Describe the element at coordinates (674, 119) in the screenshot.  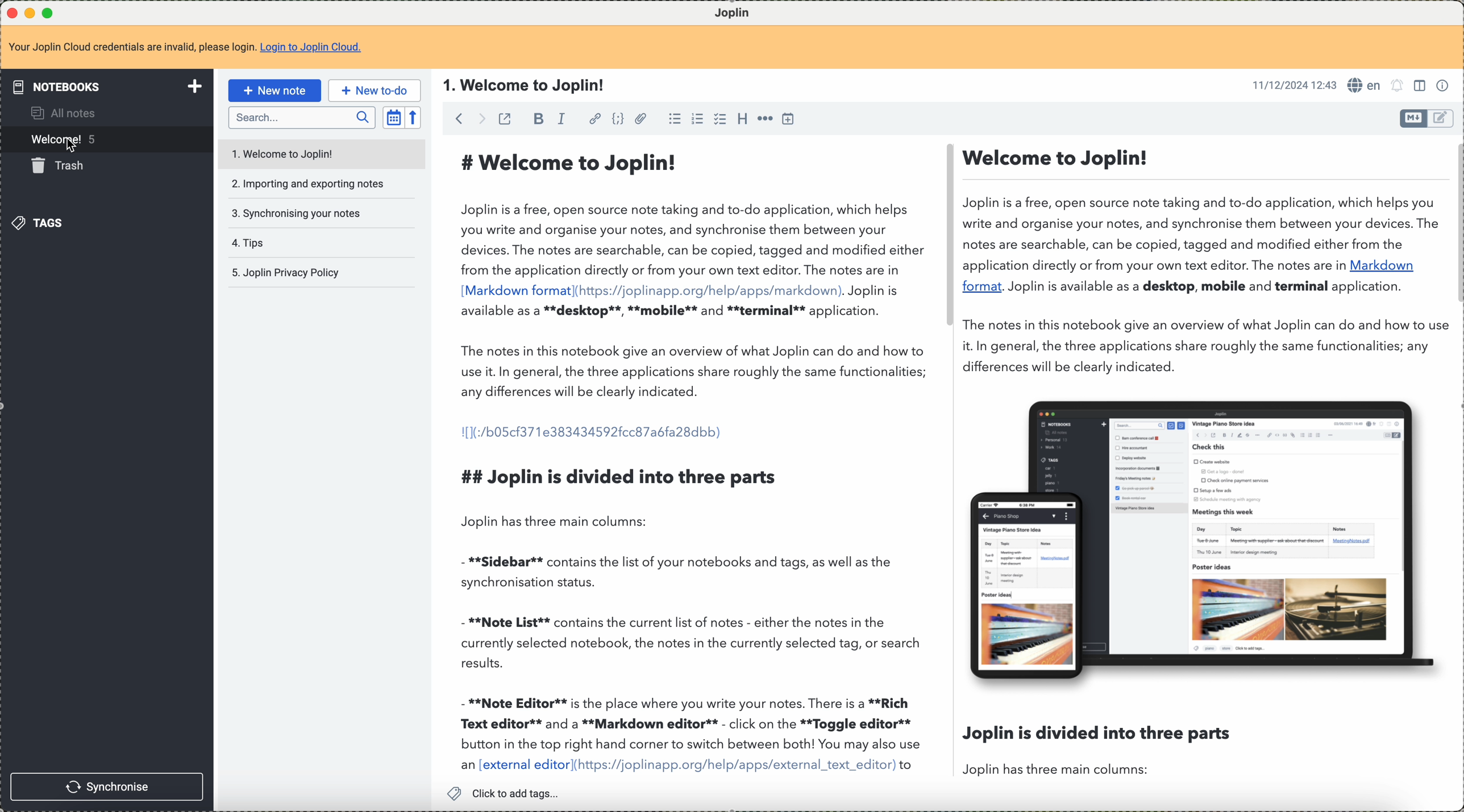
I see `bulleted list` at that location.